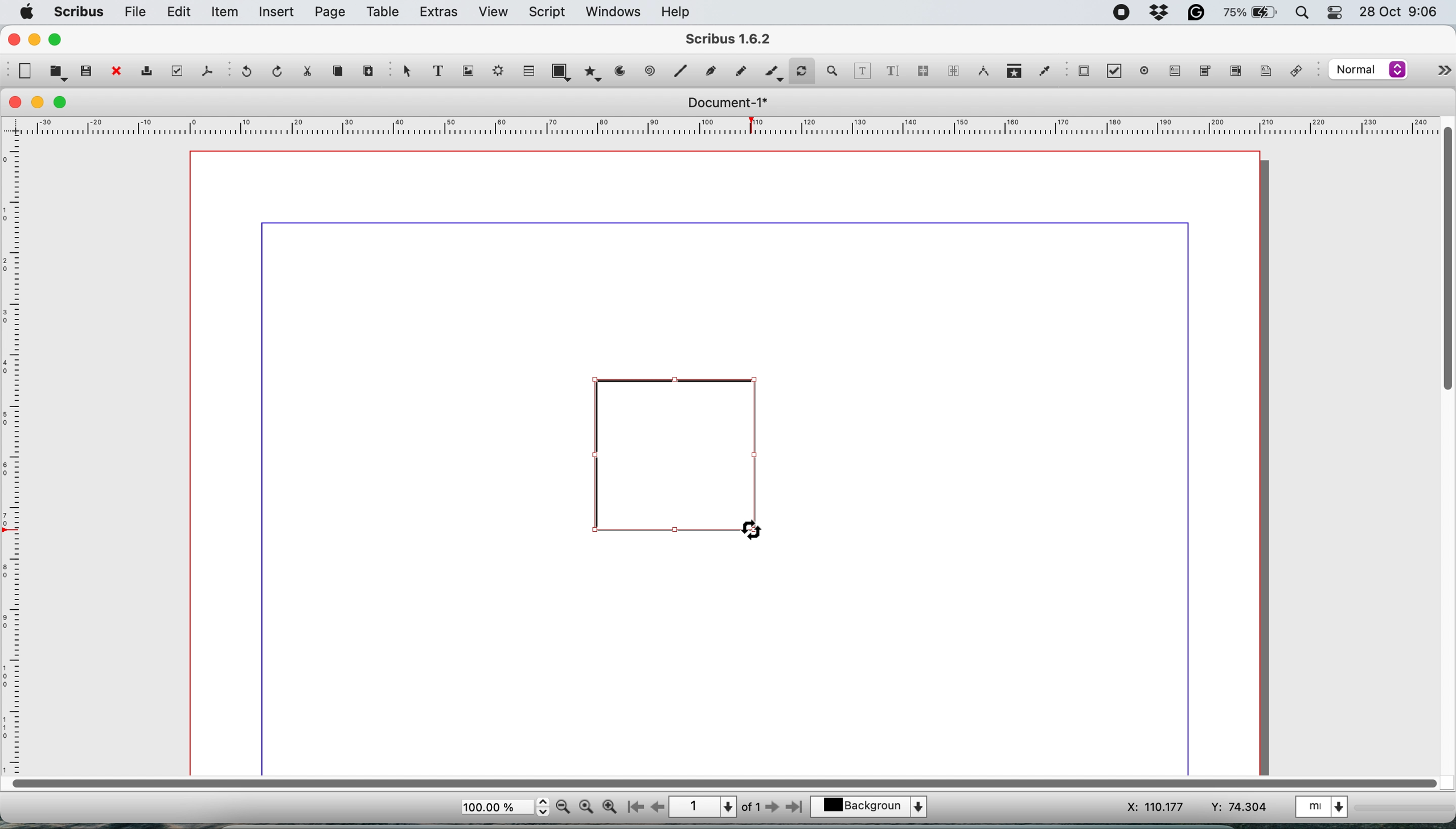 The width and height of the screenshot is (1456, 829). I want to click on maximise, so click(59, 40).